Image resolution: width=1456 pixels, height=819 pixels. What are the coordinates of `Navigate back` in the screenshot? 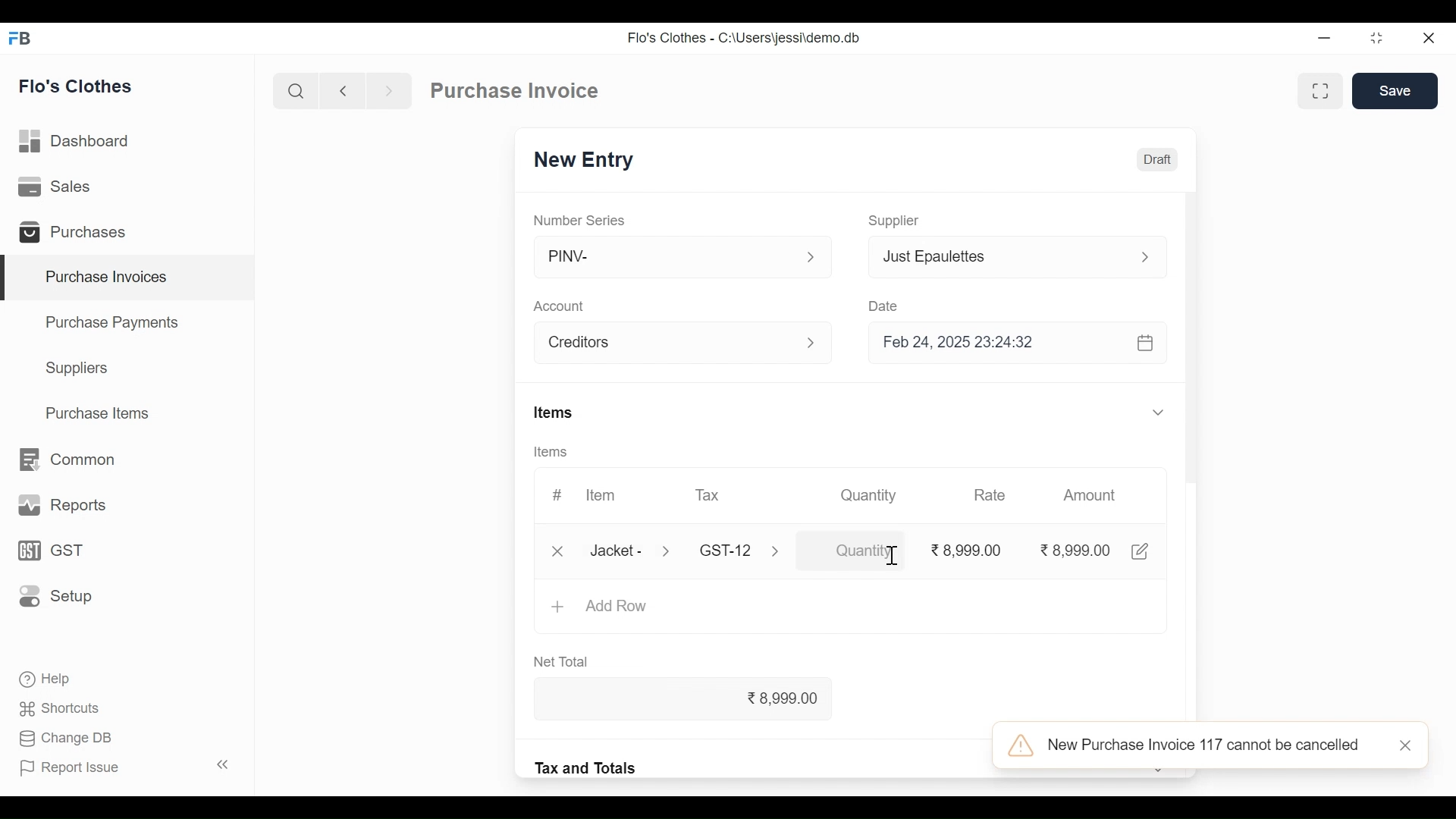 It's located at (340, 91).